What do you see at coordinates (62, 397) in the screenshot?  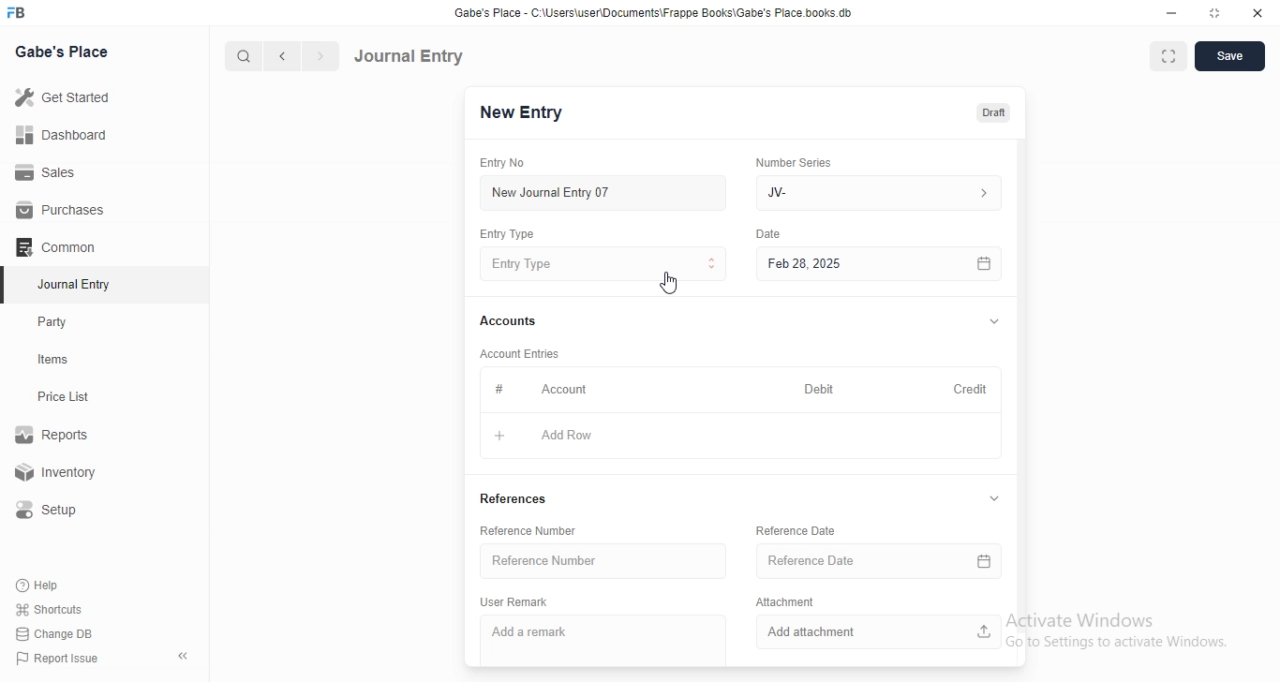 I see `Price List` at bounding box center [62, 397].